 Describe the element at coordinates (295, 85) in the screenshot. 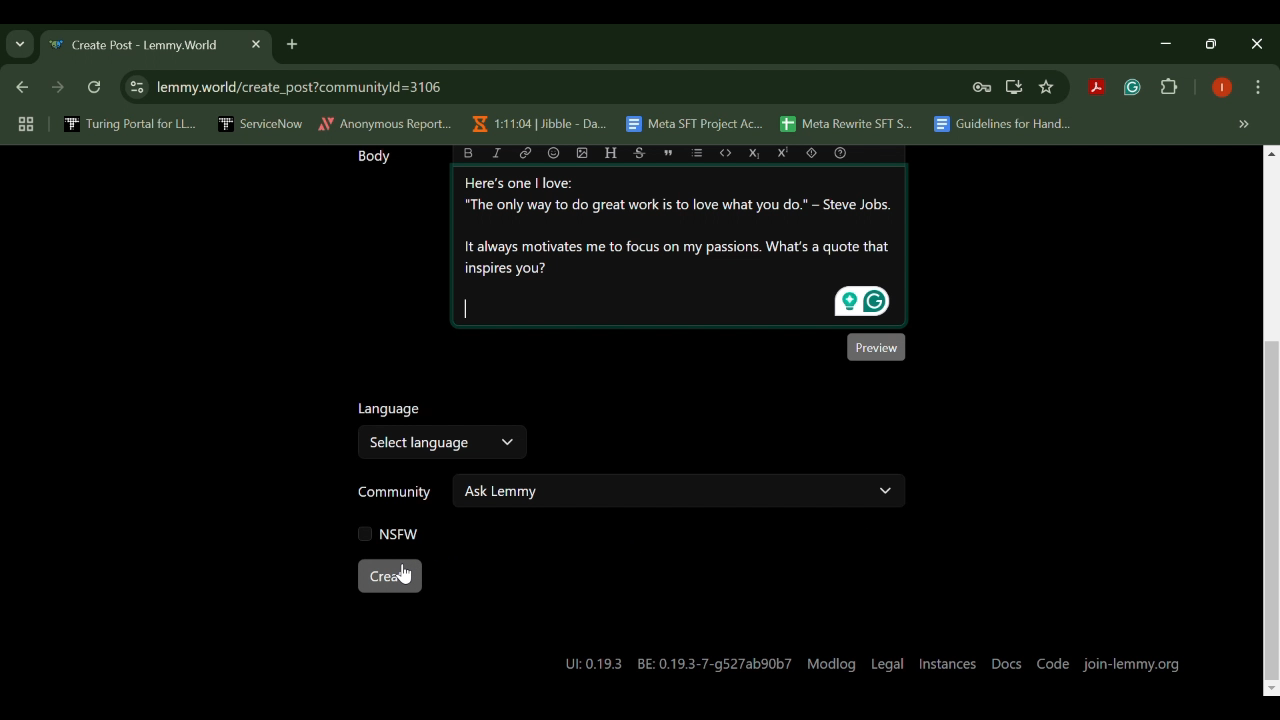

I see `lemmy.world/create_post?communityld=3106` at that location.